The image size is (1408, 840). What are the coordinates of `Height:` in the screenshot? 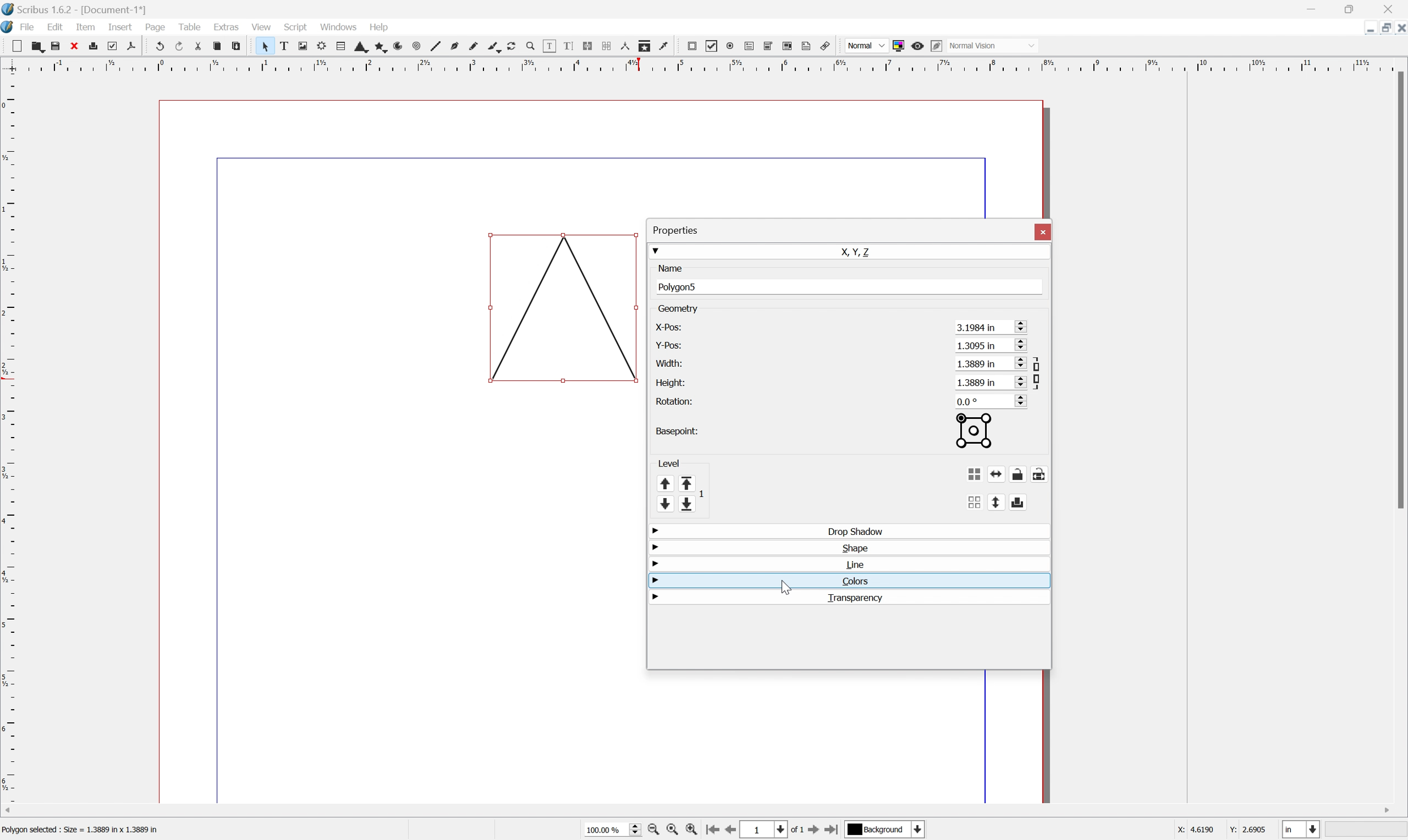 It's located at (671, 383).